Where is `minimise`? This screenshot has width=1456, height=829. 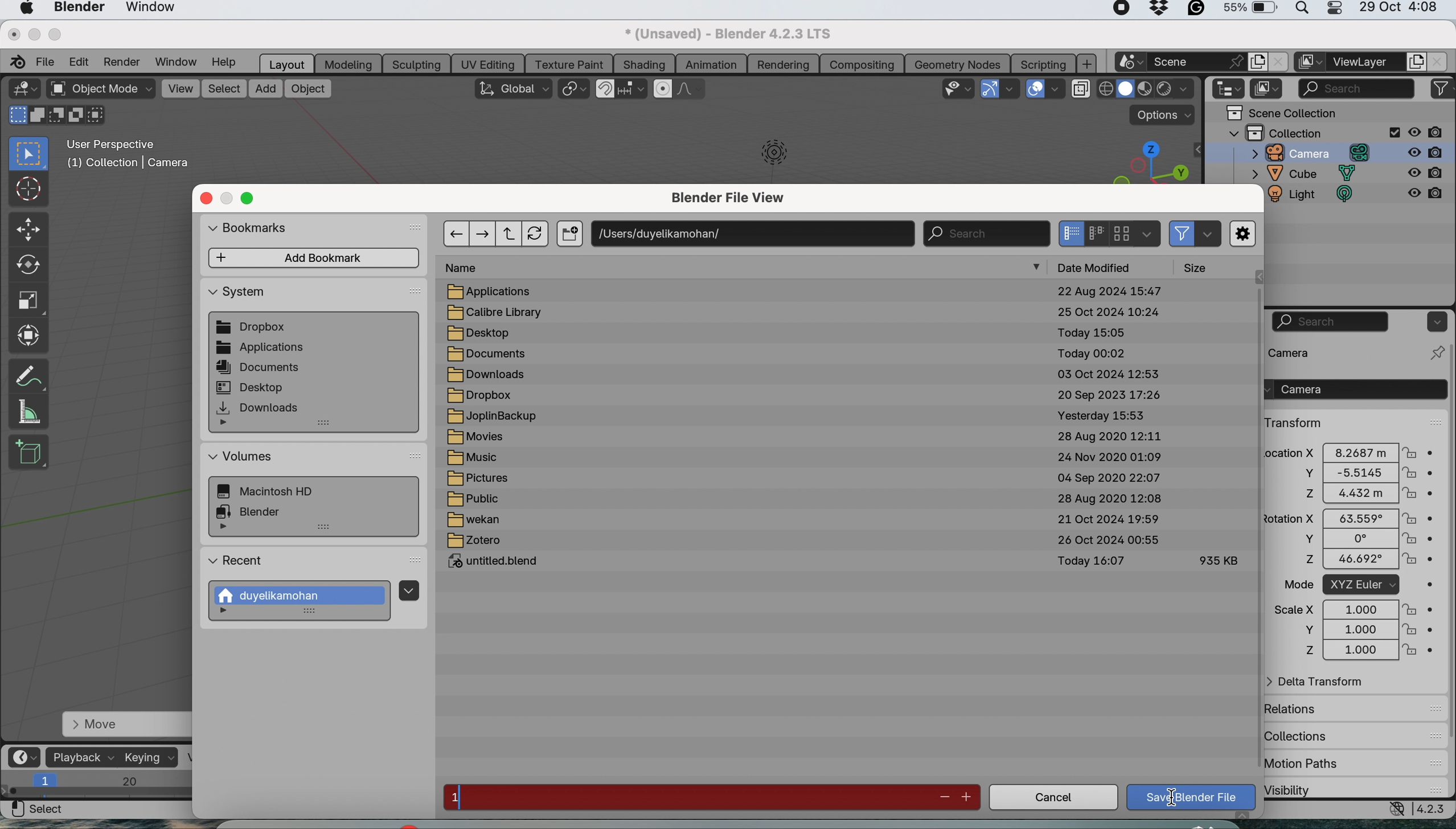
minimise is located at coordinates (31, 34).